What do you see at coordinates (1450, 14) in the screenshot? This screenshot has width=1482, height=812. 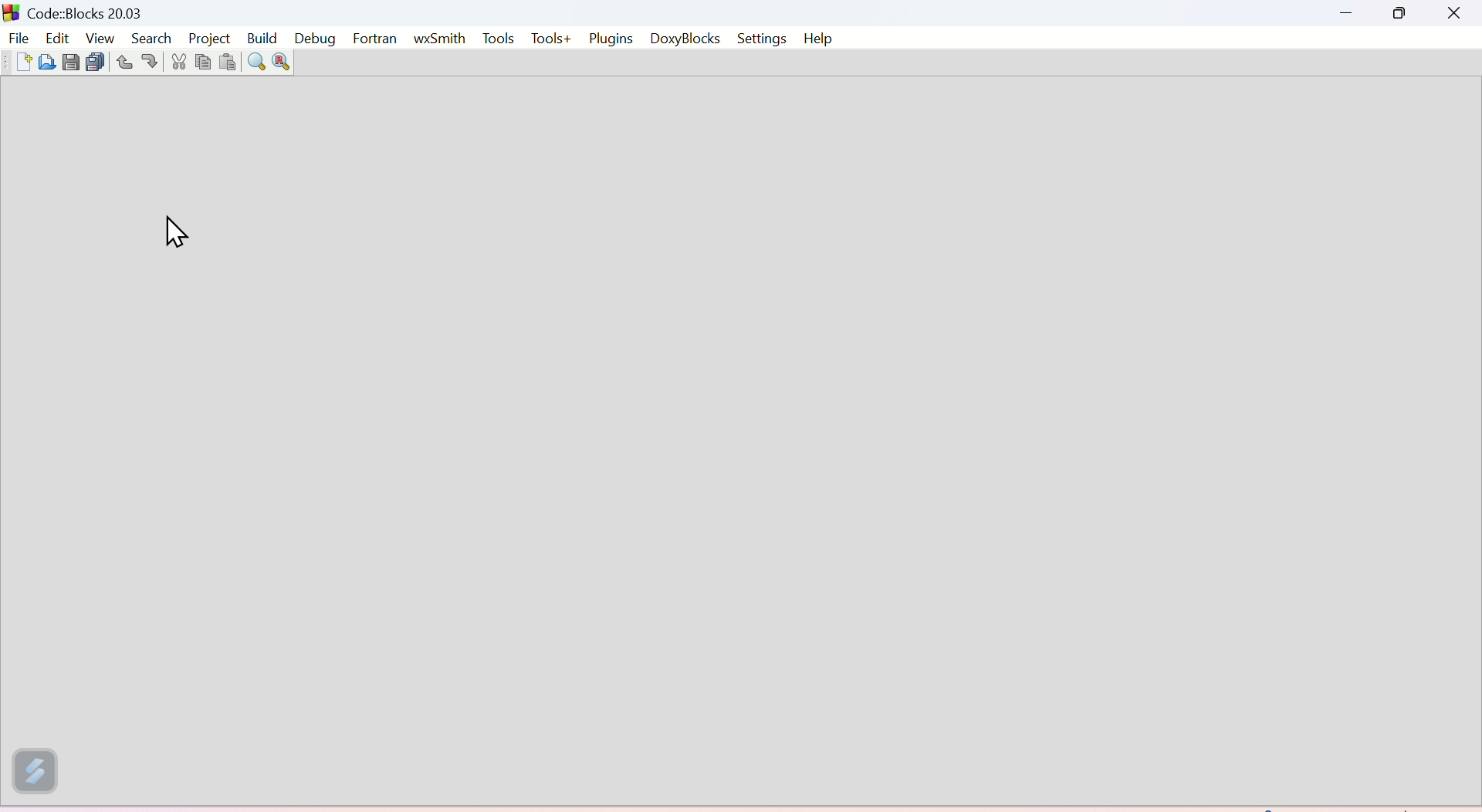 I see `Close` at bounding box center [1450, 14].